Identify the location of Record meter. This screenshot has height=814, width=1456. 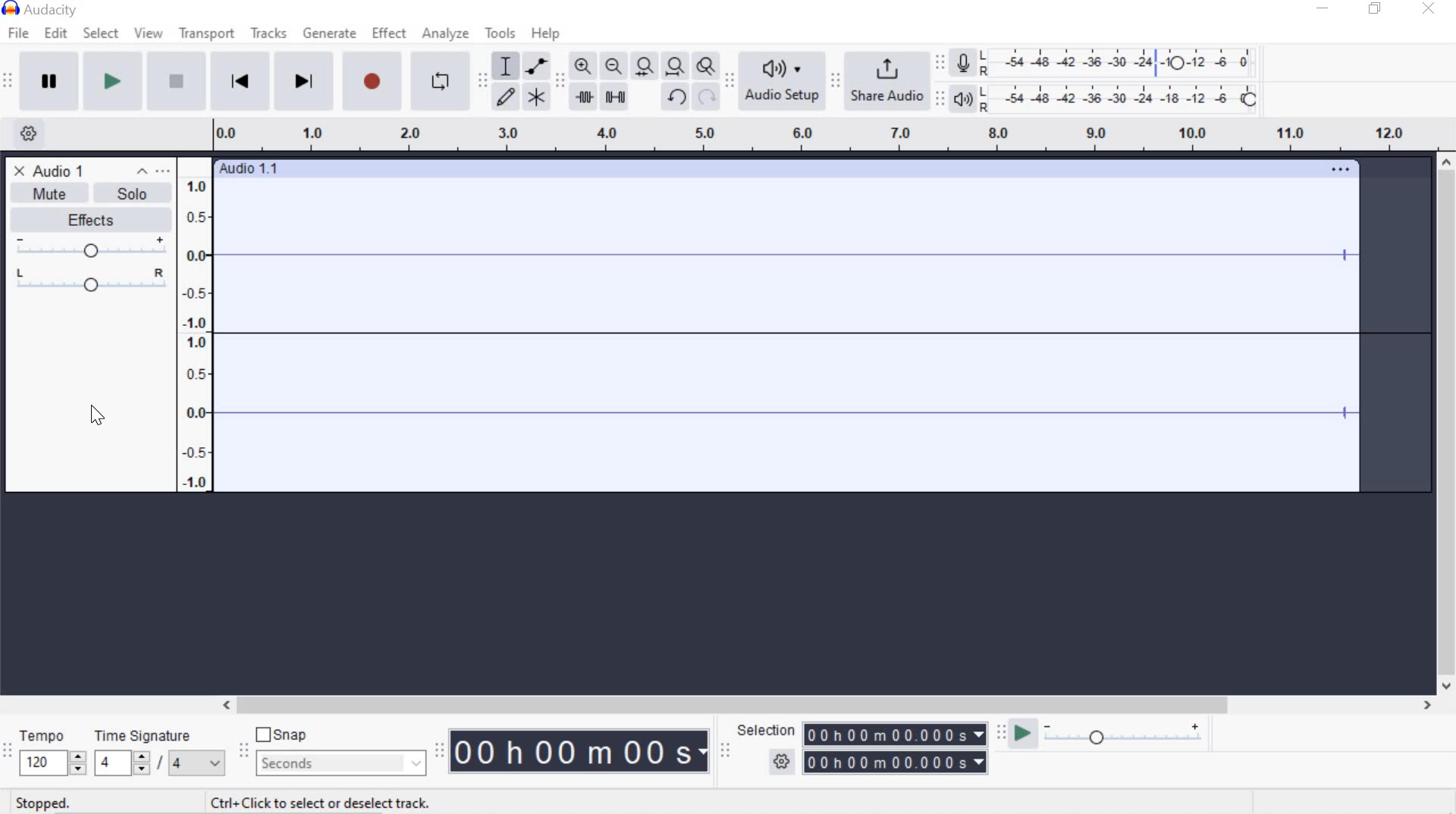
(963, 61).